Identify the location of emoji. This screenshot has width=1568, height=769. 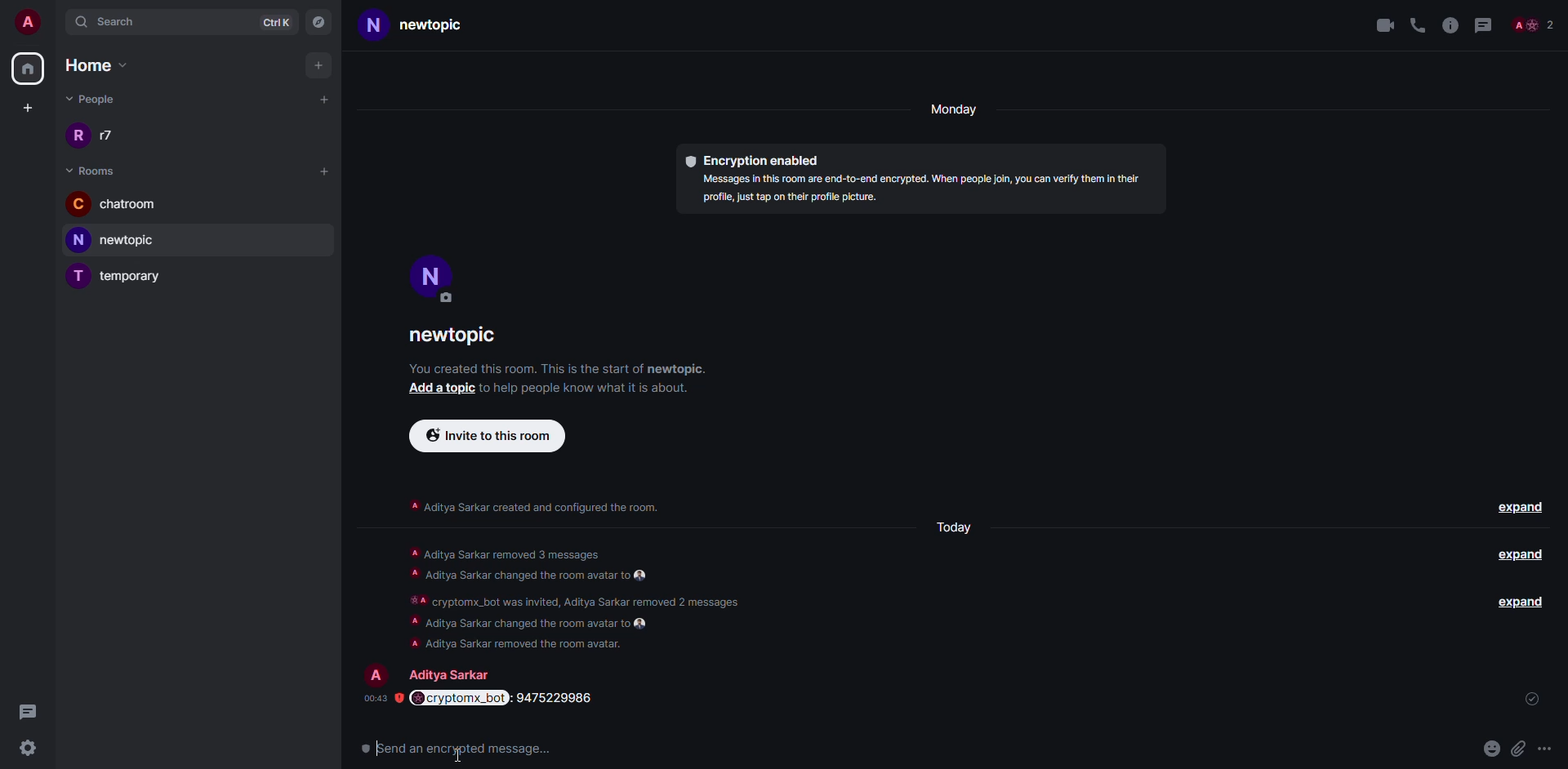
(1492, 754).